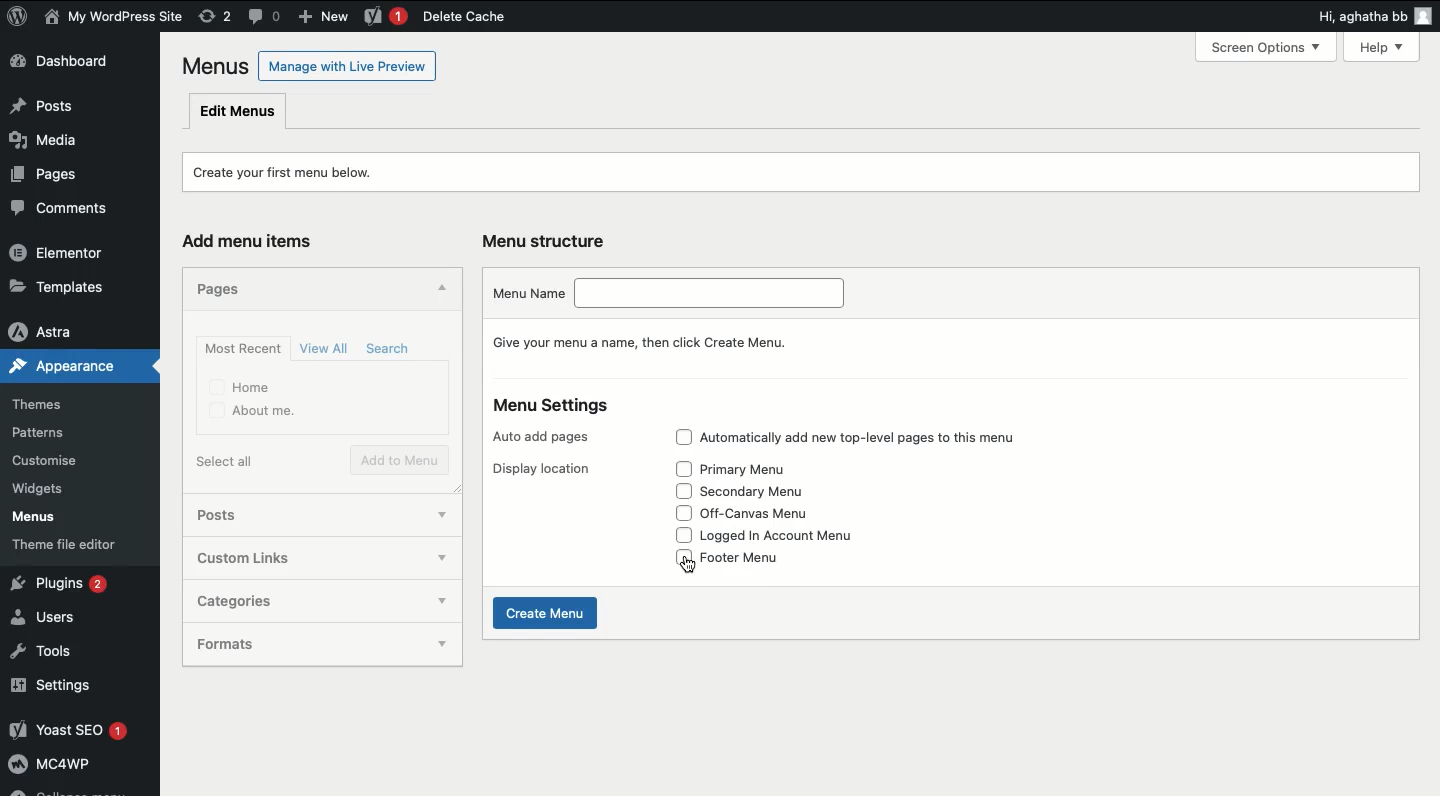 Image resolution: width=1440 pixels, height=796 pixels. What do you see at coordinates (215, 17) in the screenshot?
I see `Revision` at bounding box center [215, 17].